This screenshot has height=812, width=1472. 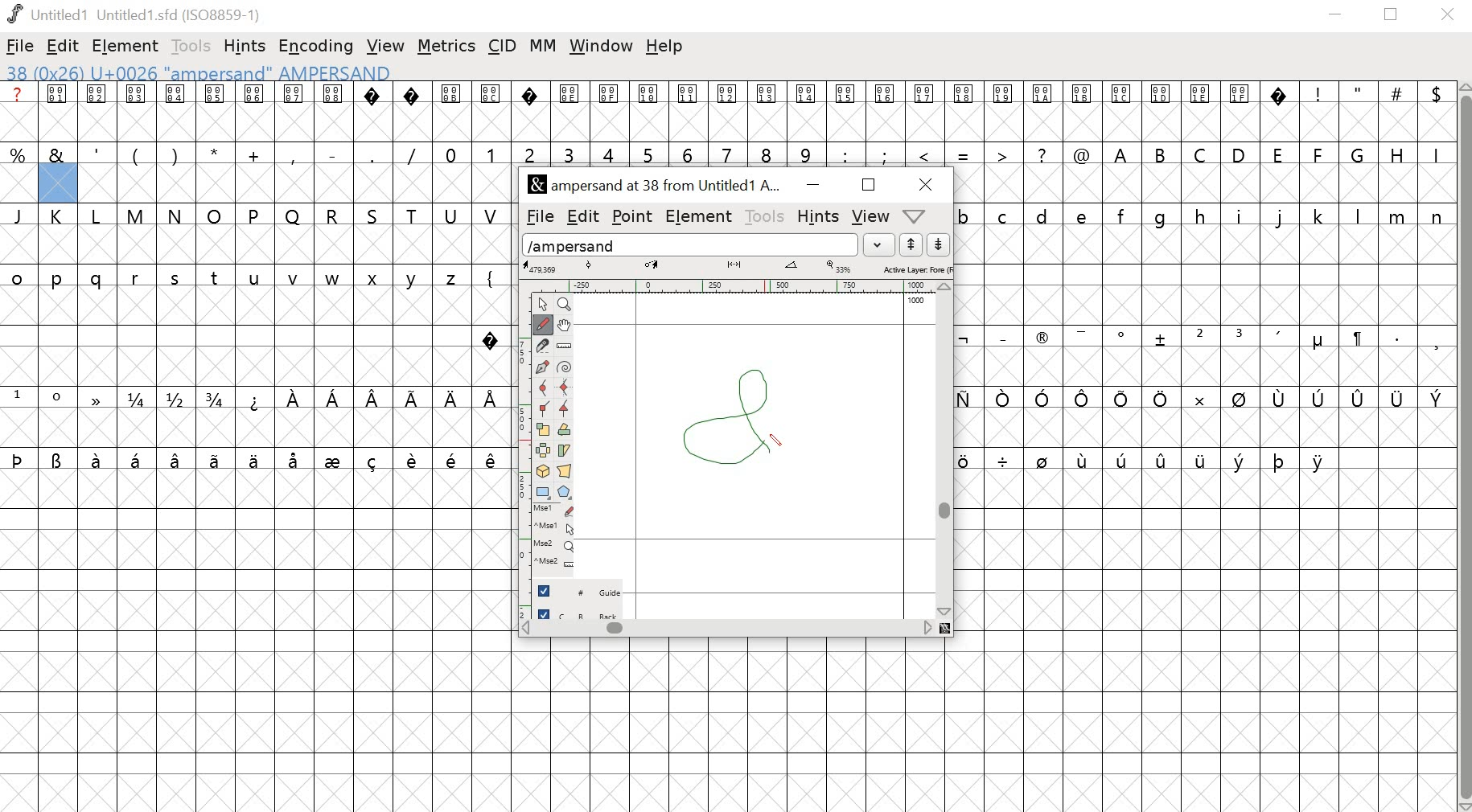 I want to click on P, so click(x=255, y=215).